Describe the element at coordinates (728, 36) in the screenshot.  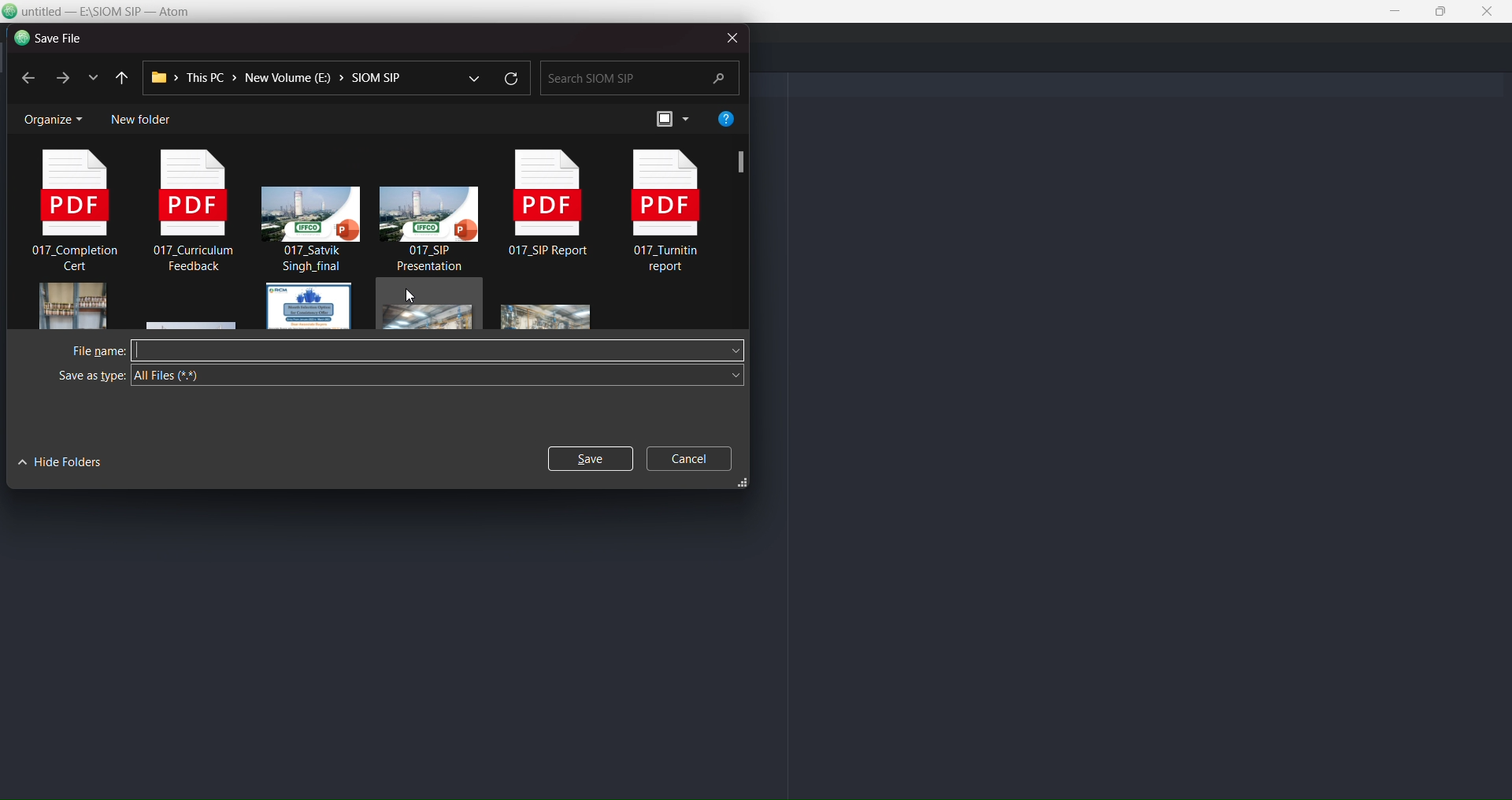
I see `close dialog` at that location.